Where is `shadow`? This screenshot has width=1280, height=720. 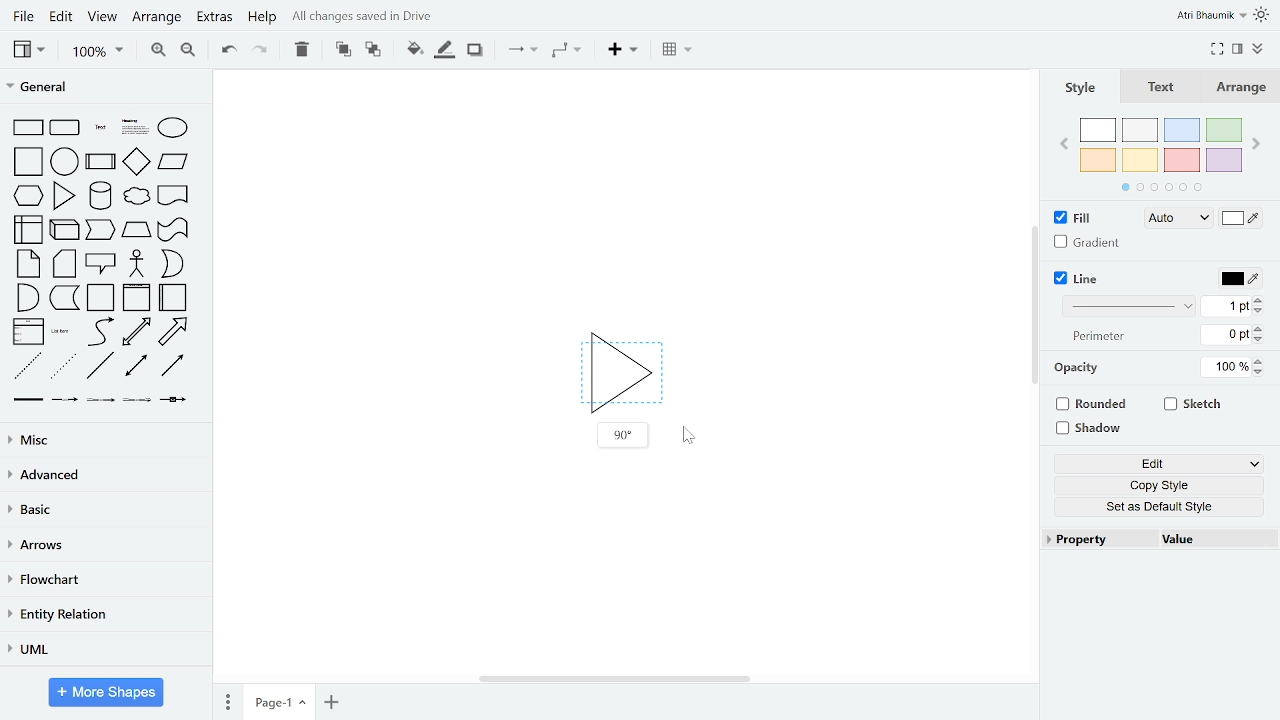
shadow is located at coordinates (474, 50).